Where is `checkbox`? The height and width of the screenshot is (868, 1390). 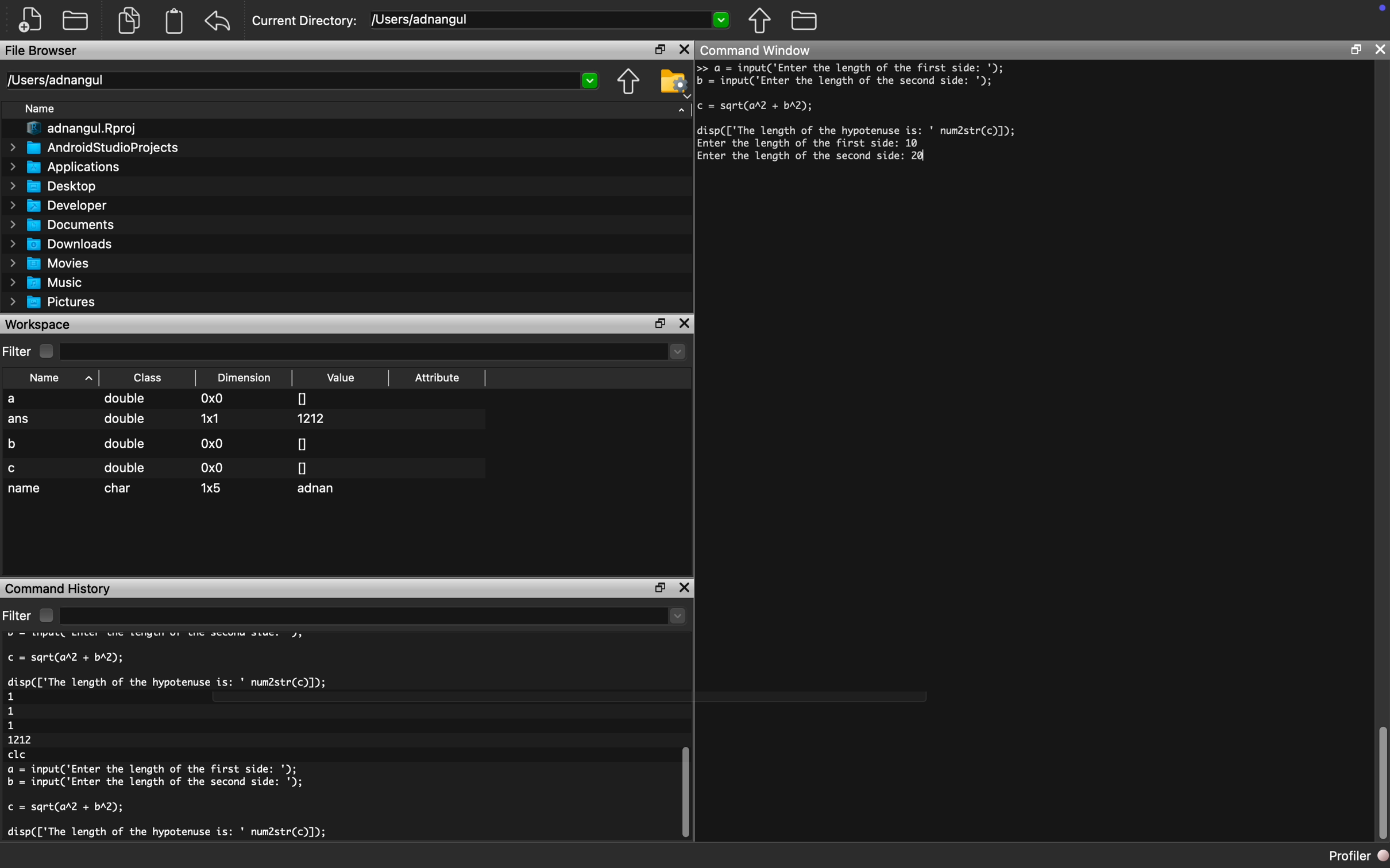 checkbox is located at coordinates (49, 351).